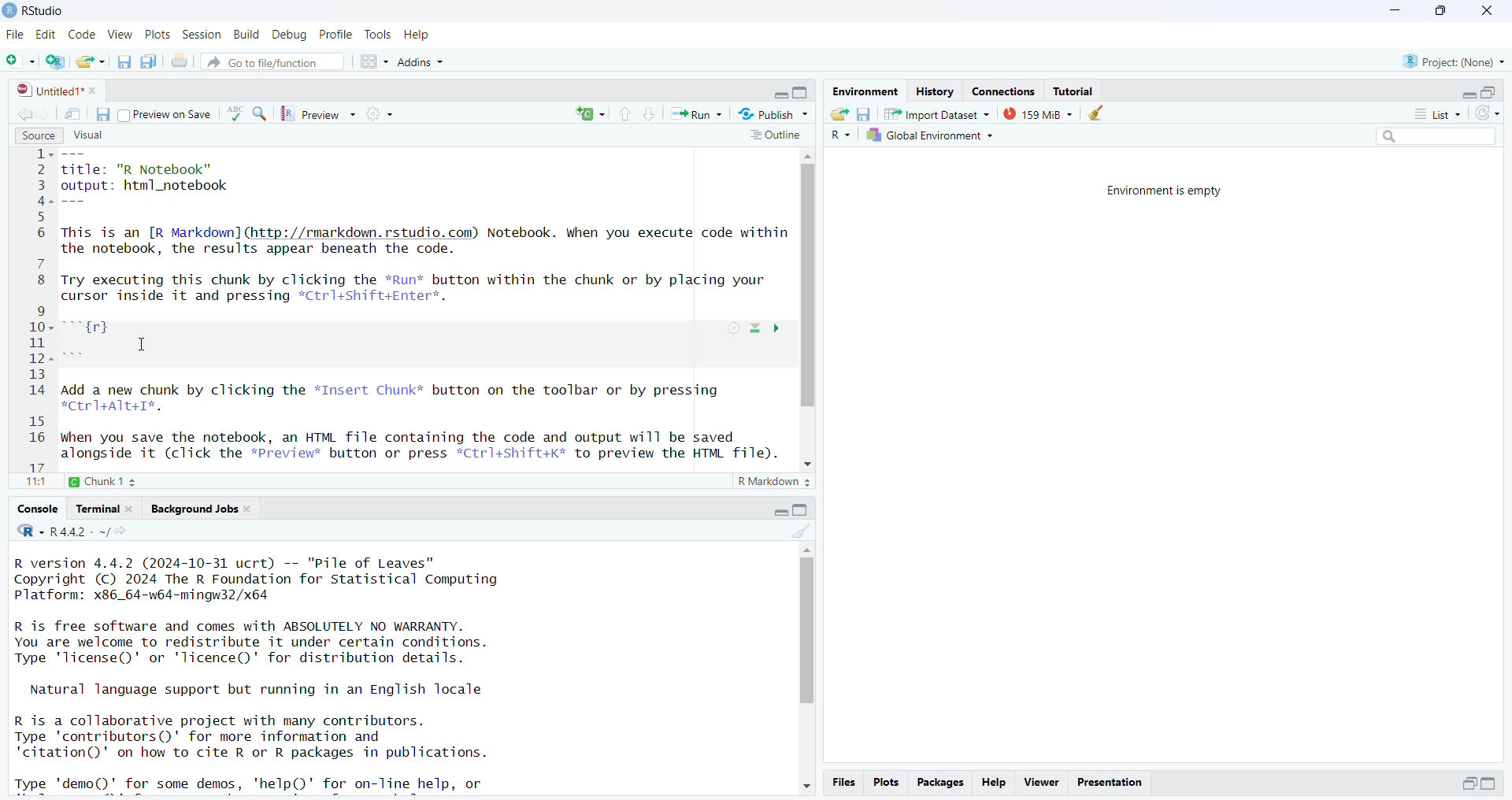 This screenshot has width=1512, height=800. What do you see at coordinates (1453, 62) in the screenshot?
I see `project(None)` at bounding box center [1453, 62].